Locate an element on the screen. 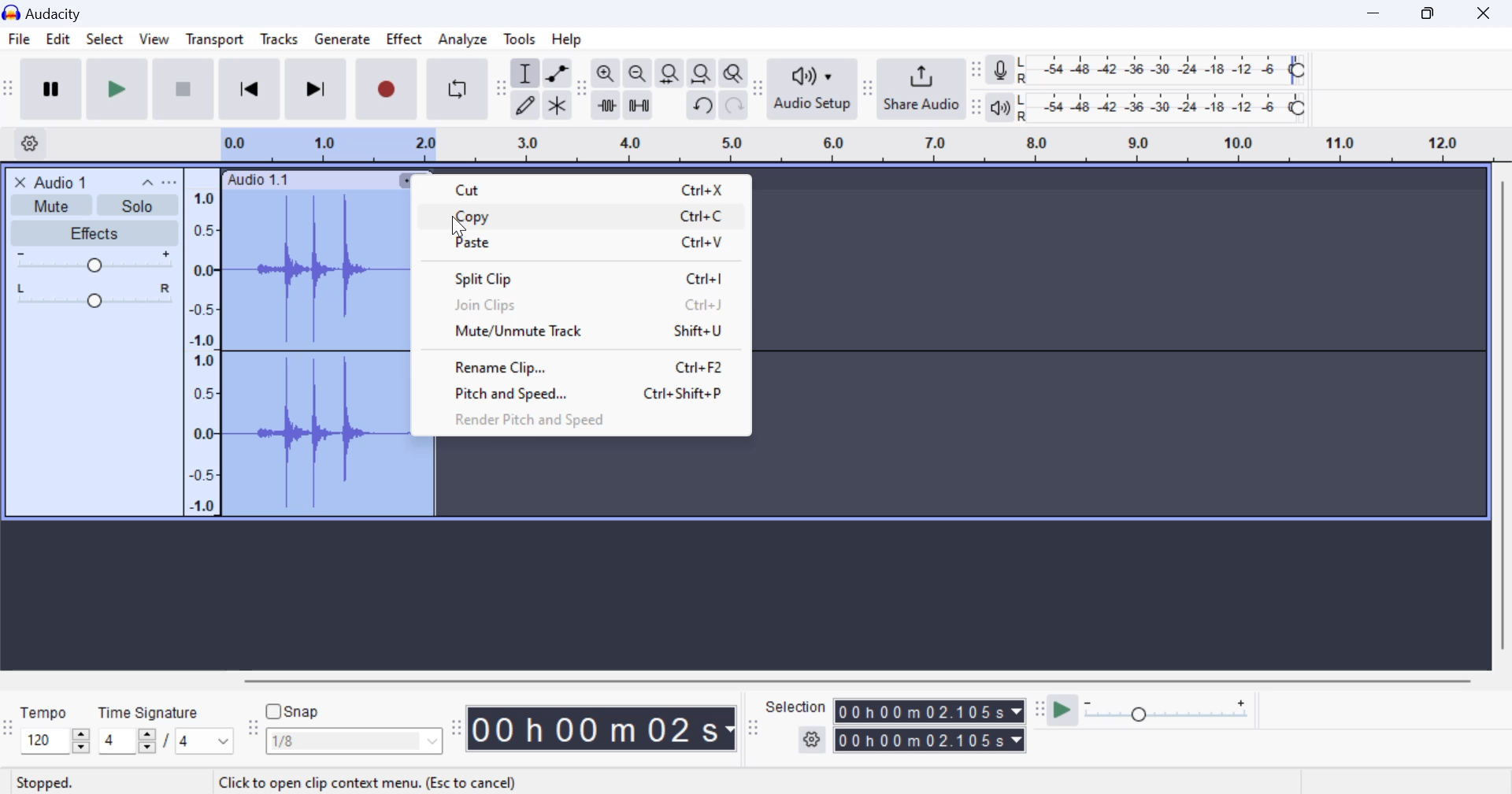  Cut is located at coordinates (578, 187).